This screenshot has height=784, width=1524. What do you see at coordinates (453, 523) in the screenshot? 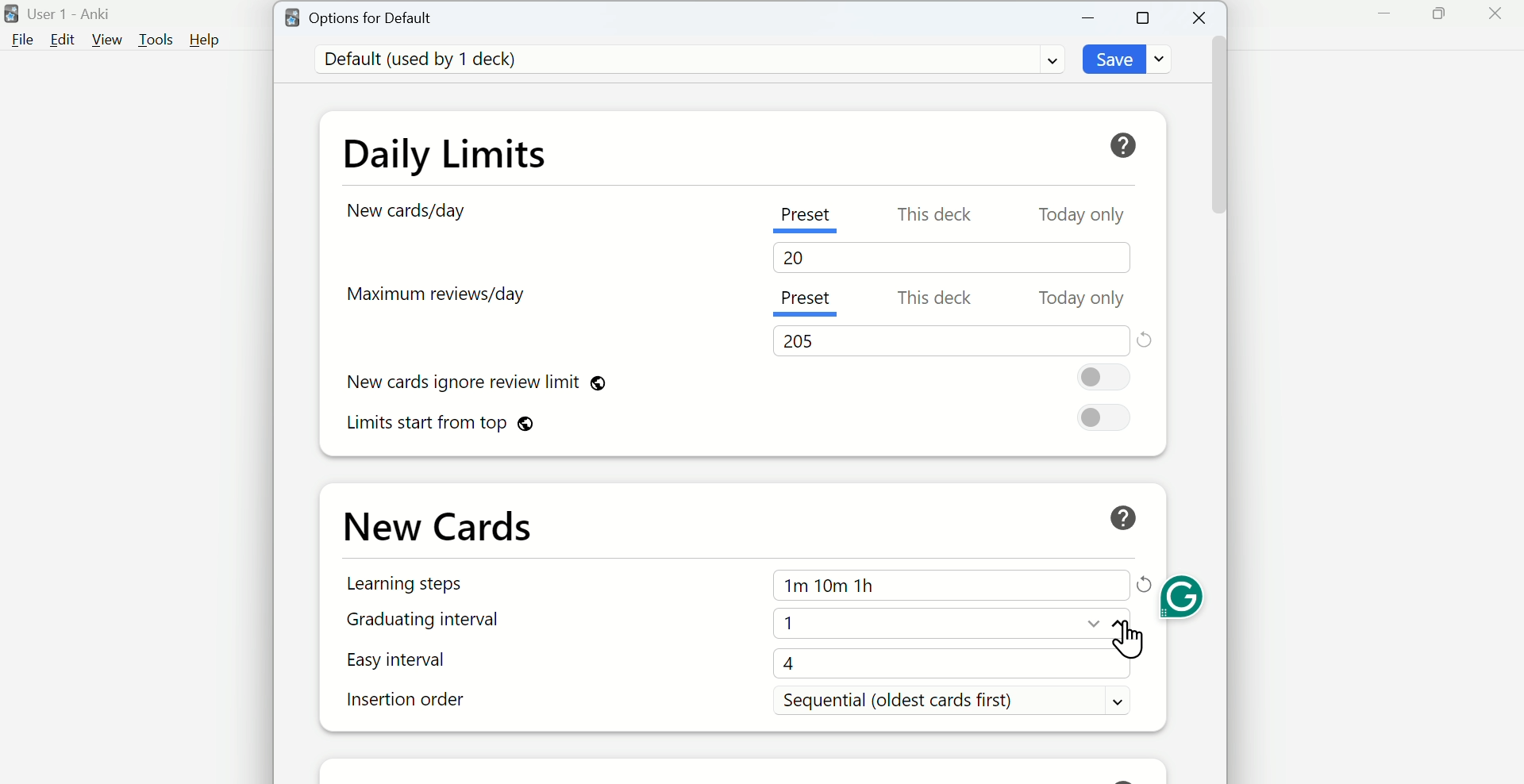
I see `New Cards` at bounding box center [453, 523].